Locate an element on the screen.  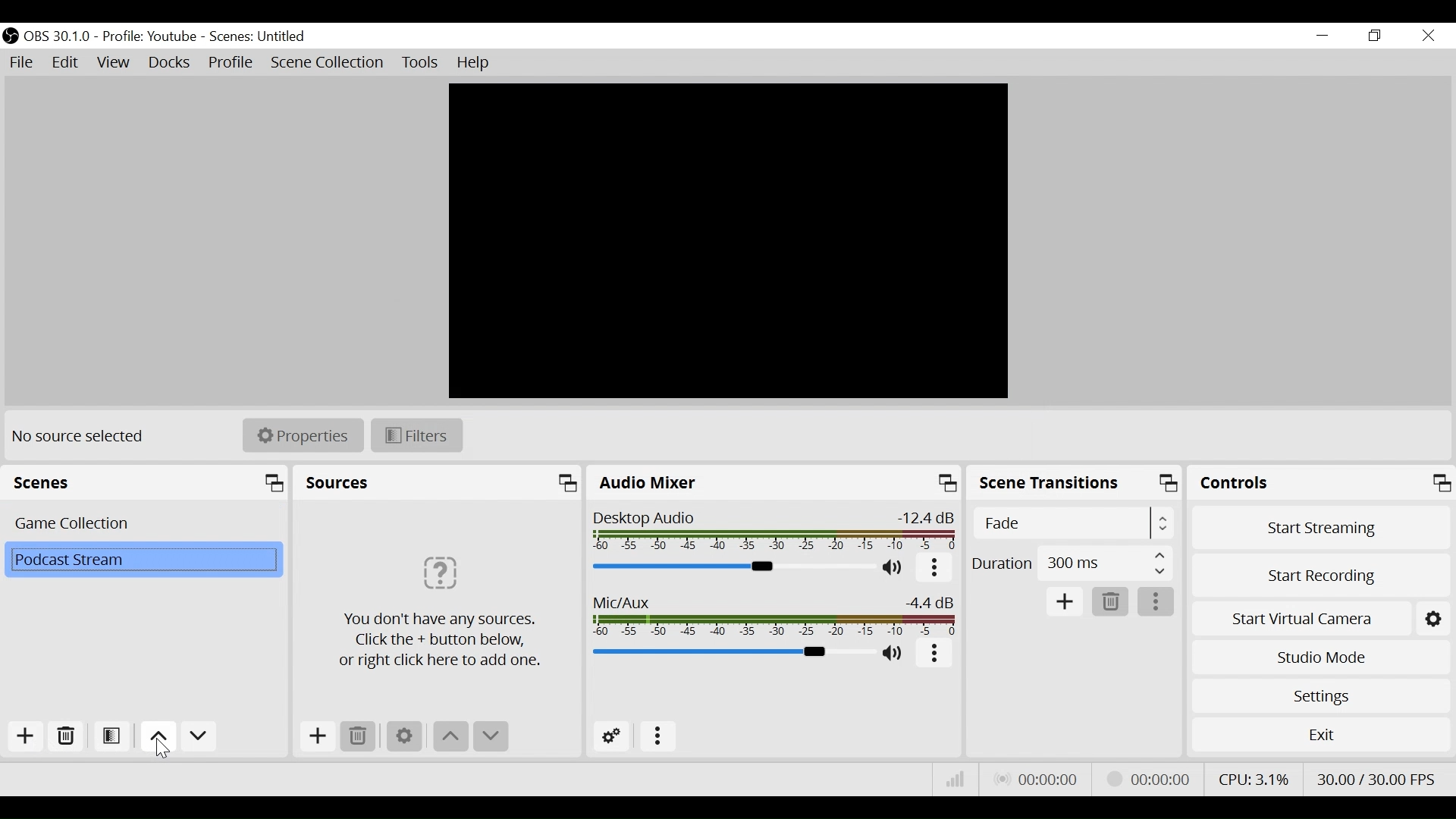
Filter is located at coordinates (415, 434).